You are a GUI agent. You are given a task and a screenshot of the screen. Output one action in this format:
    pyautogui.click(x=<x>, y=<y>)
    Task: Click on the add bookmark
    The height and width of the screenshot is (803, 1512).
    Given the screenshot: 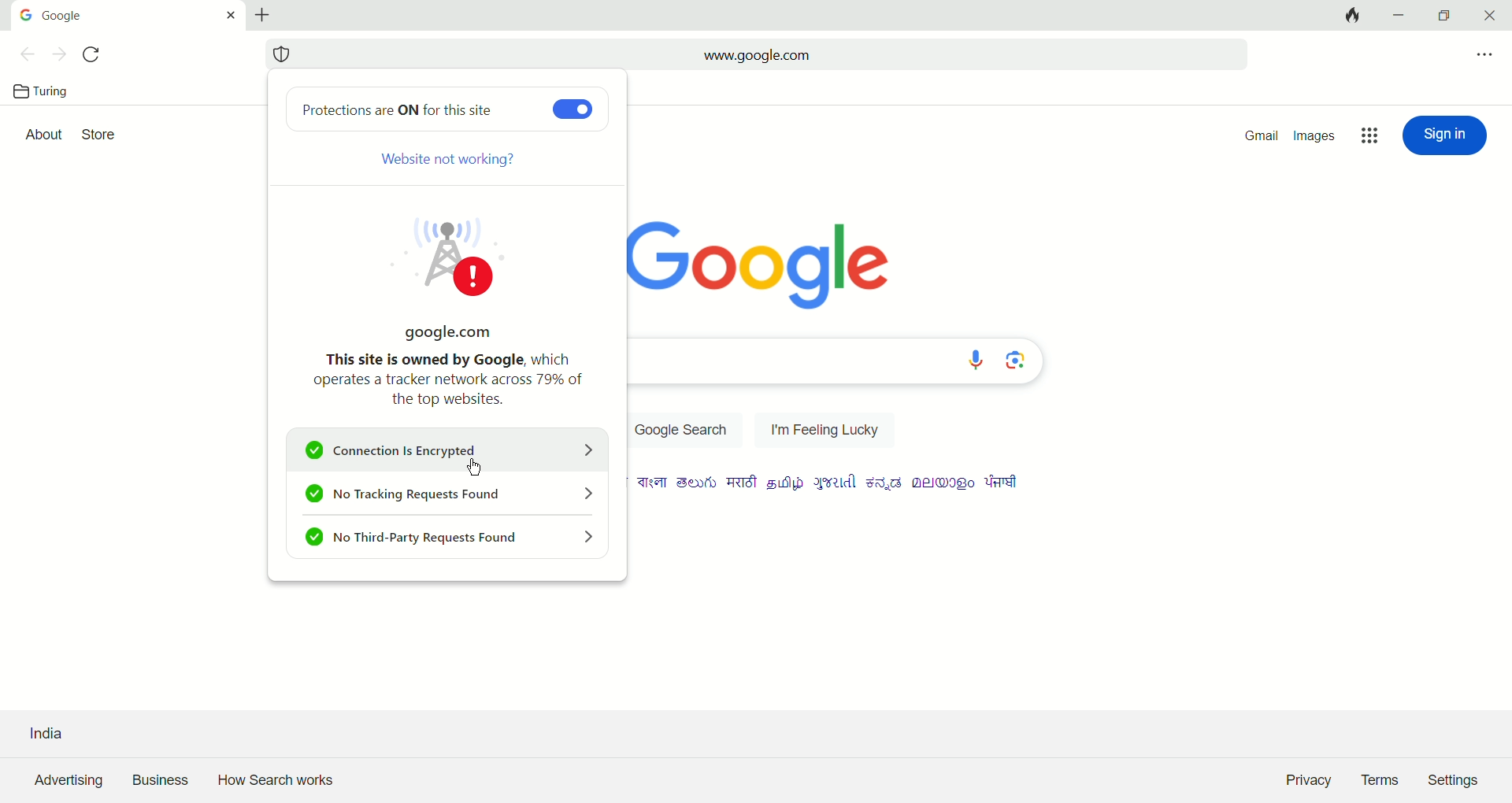 What is the action you would take?
    pyautogui.click(x=1226, y=54)
    